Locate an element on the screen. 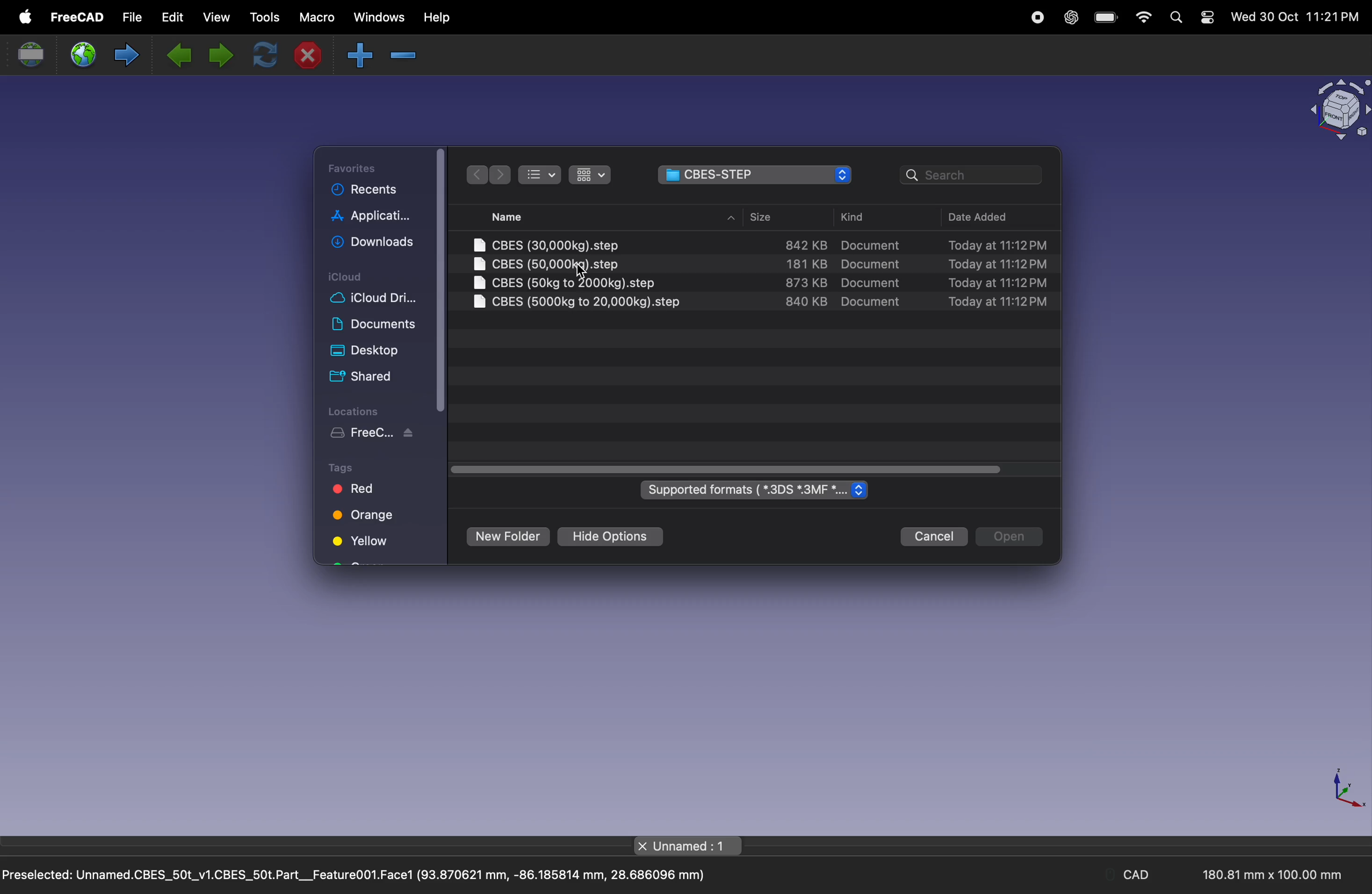 The image size is (1372, 894). application is located at coordinates (371, 214).